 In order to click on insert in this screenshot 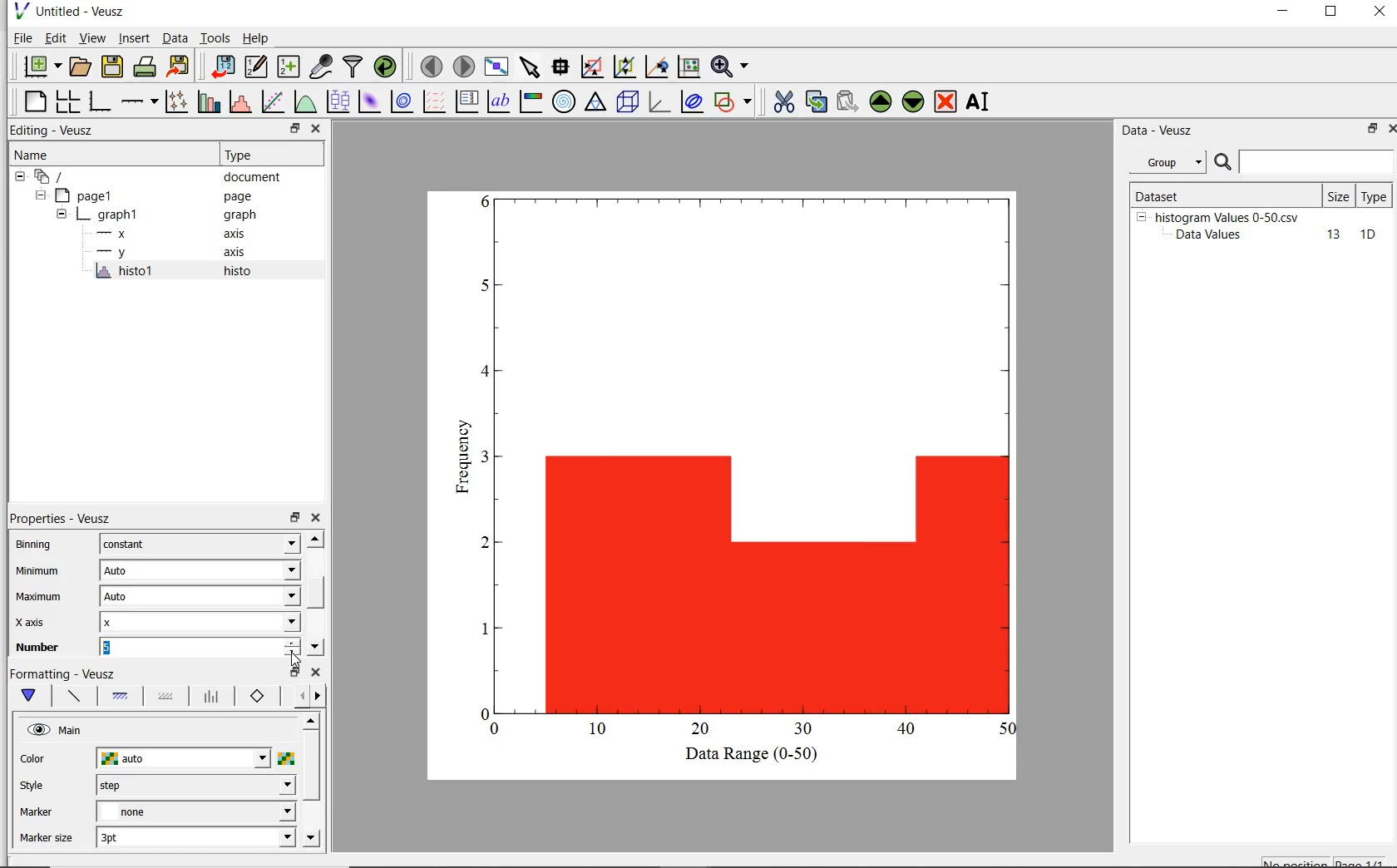, I will do `click(134, 38)`.